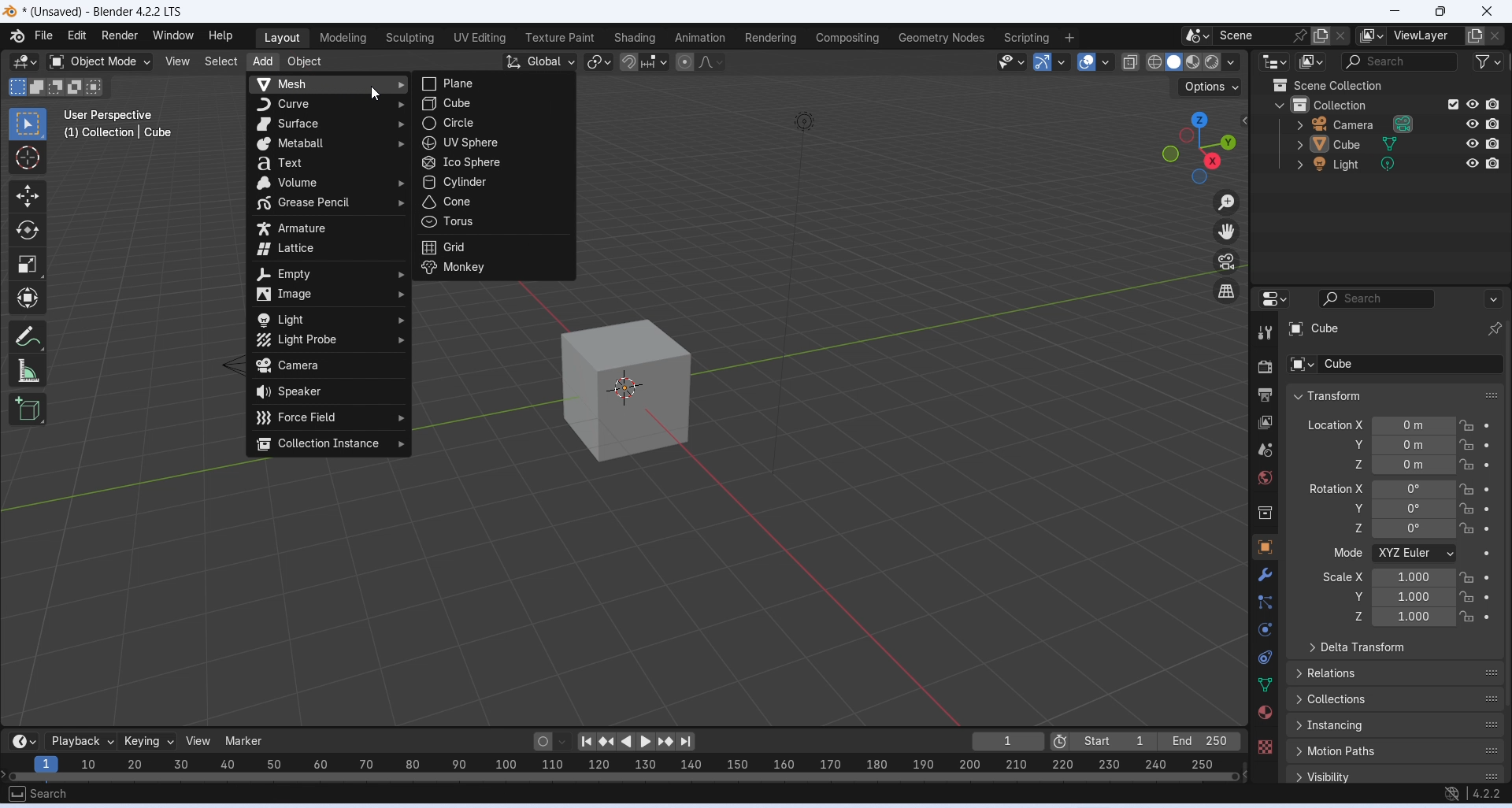 This screenshot has height=808, width=1512. I want to click on animate property, so click(1488, 425).